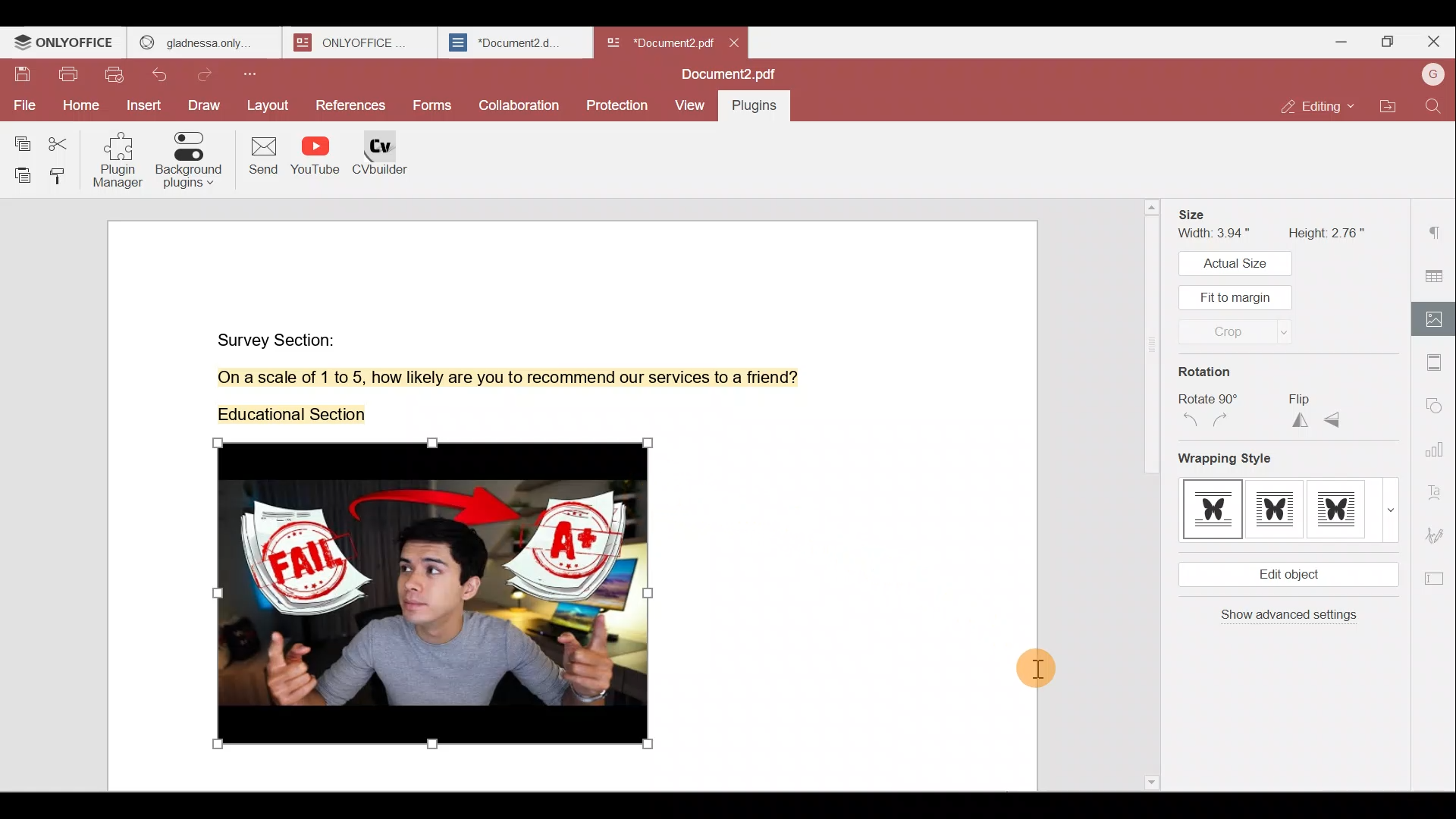  Describe the element at coordinates (268, 106) in the screenshot. I see `Layout` at that location.